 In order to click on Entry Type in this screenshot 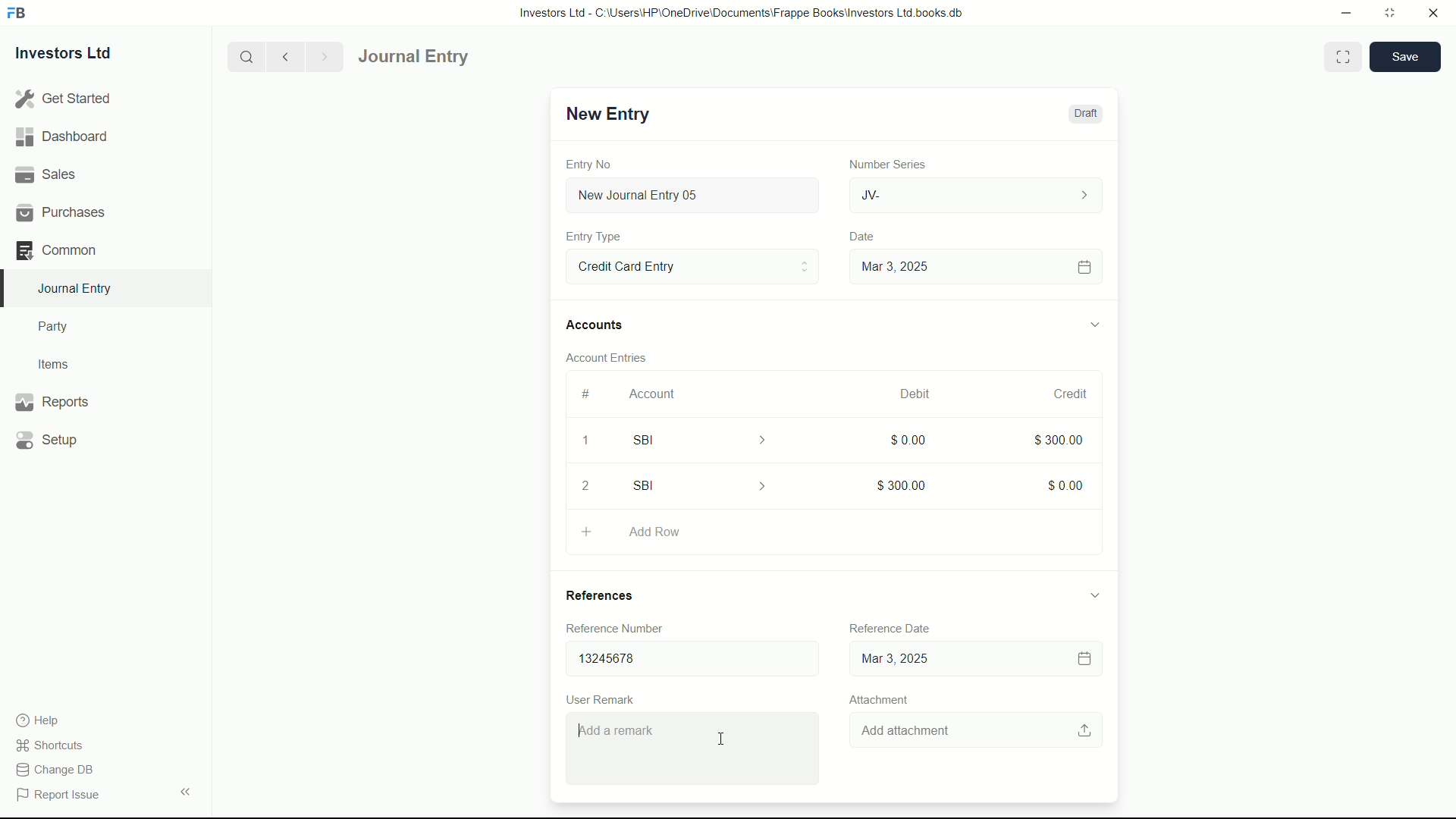, I will do `click(691, 265)`.